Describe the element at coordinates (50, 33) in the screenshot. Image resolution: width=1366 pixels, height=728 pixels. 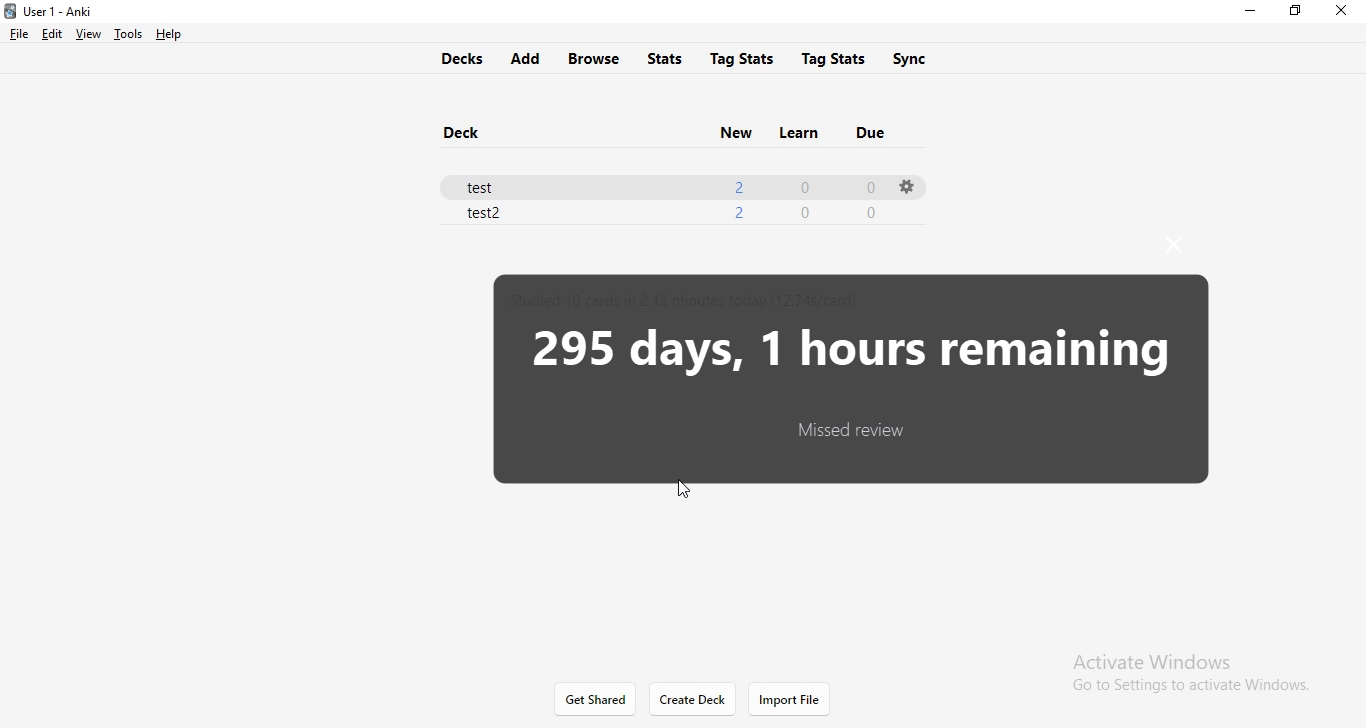
I see `edit` at that location.